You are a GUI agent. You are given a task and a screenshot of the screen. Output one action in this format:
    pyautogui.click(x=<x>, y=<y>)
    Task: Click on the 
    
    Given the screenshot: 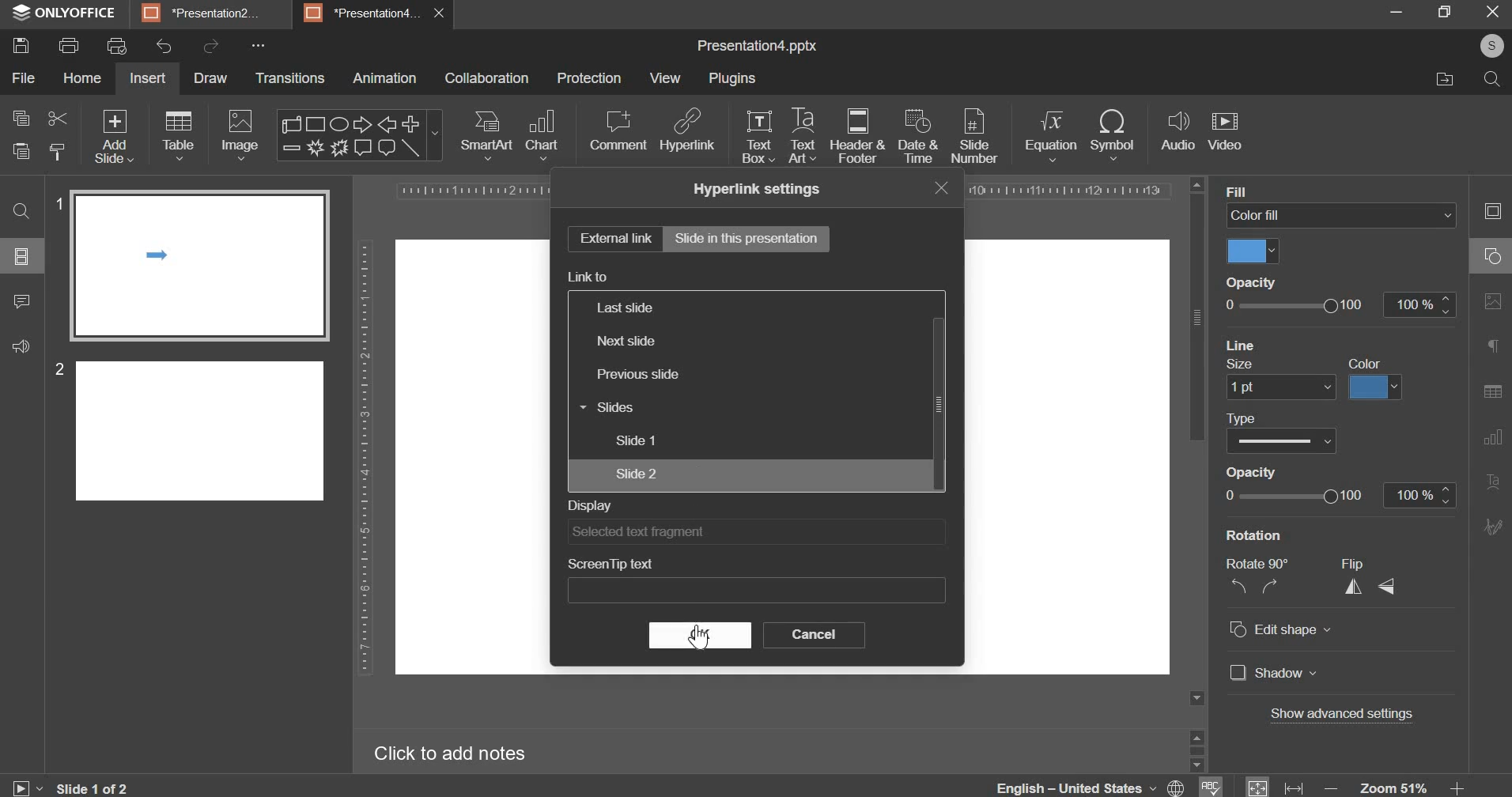 What is the action you would take?
    pyautogui.click(x=1351, y=716)
    